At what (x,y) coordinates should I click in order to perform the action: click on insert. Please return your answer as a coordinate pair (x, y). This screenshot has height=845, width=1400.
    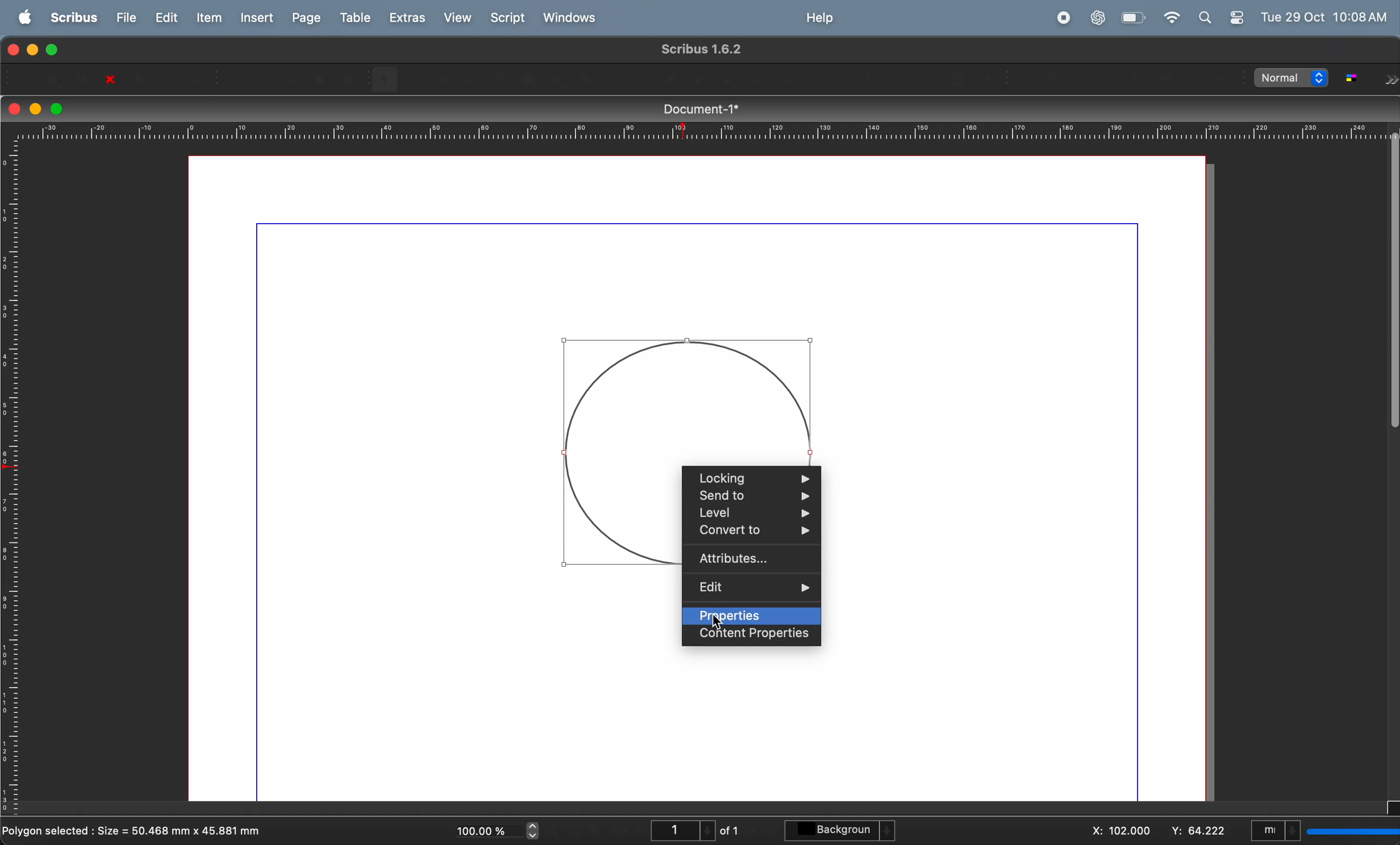
    Looking at the image, I should click on (254, 19).